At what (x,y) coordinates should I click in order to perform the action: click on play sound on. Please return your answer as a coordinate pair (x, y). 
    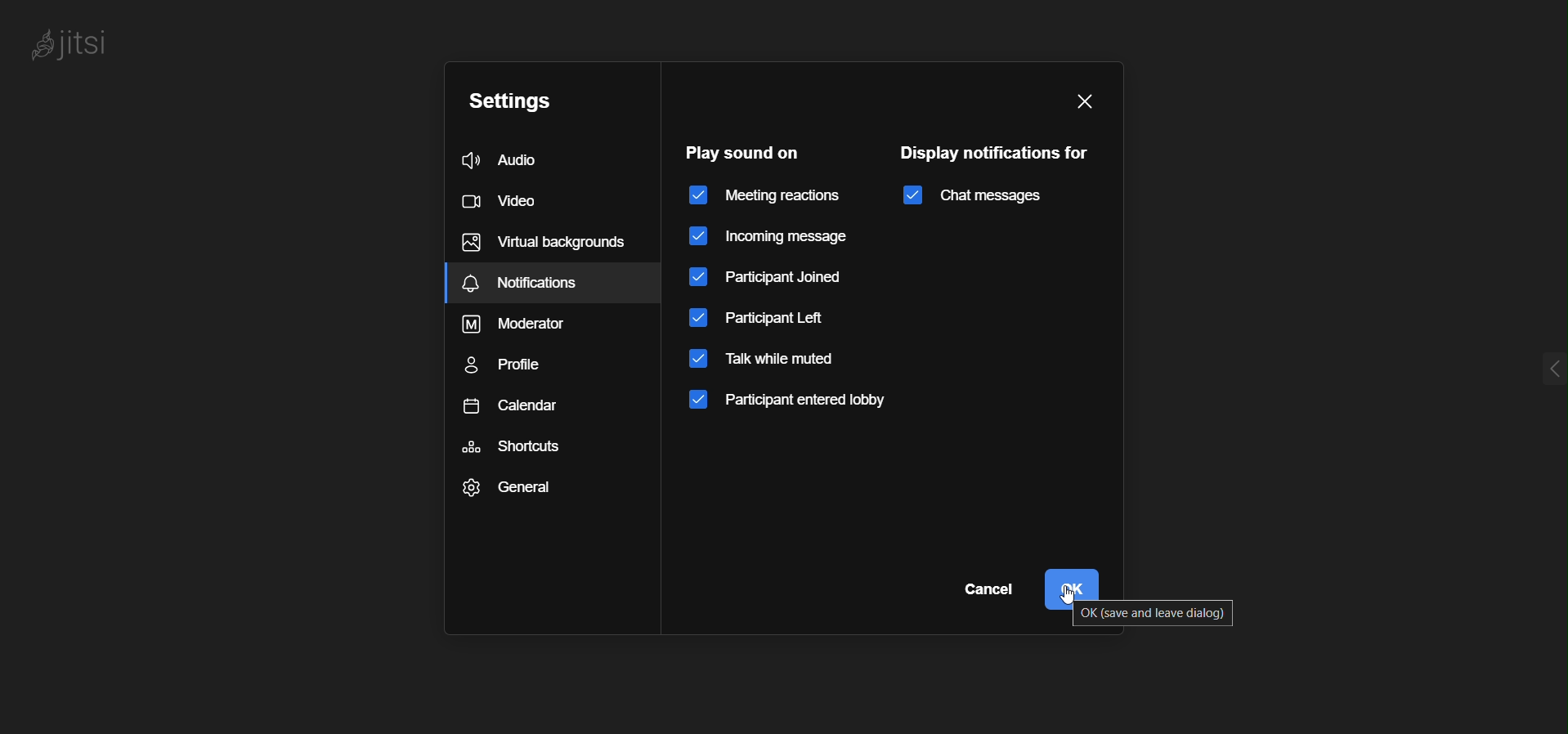
    Looking at the image, I should click on (746, 153).